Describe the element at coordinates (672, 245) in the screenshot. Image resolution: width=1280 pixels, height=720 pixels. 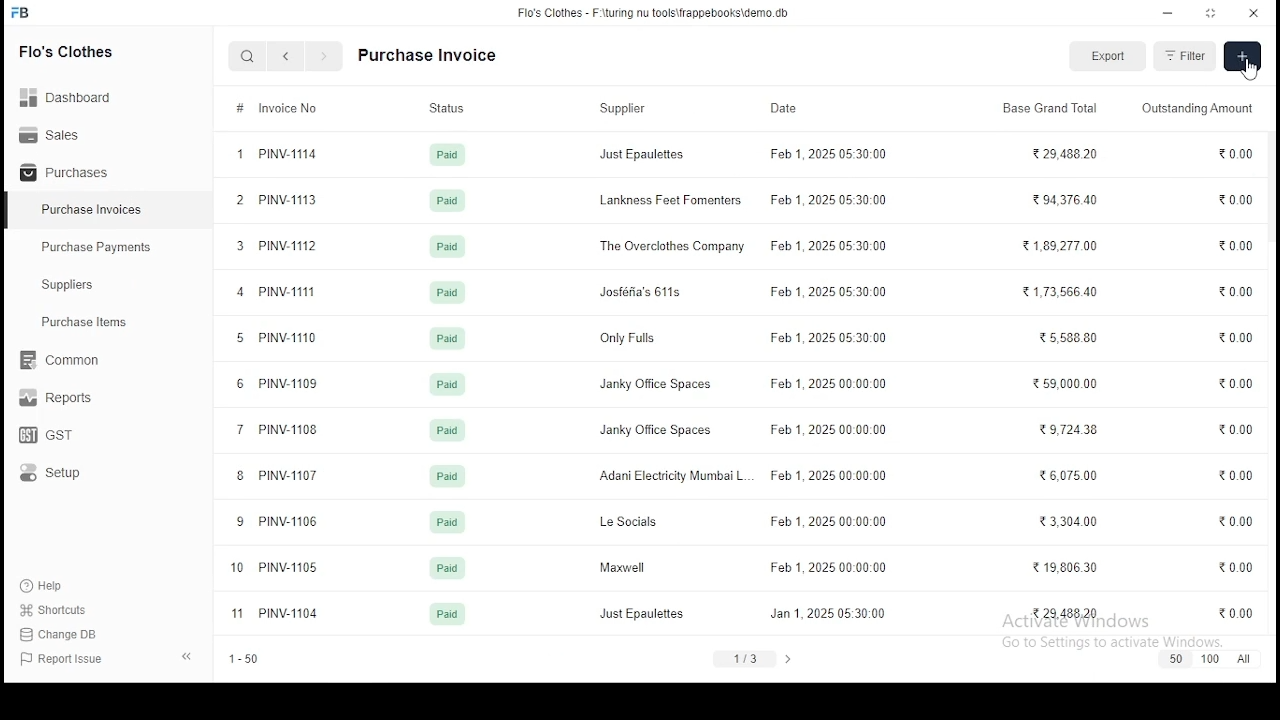
I see `the overclothes company` at that location.